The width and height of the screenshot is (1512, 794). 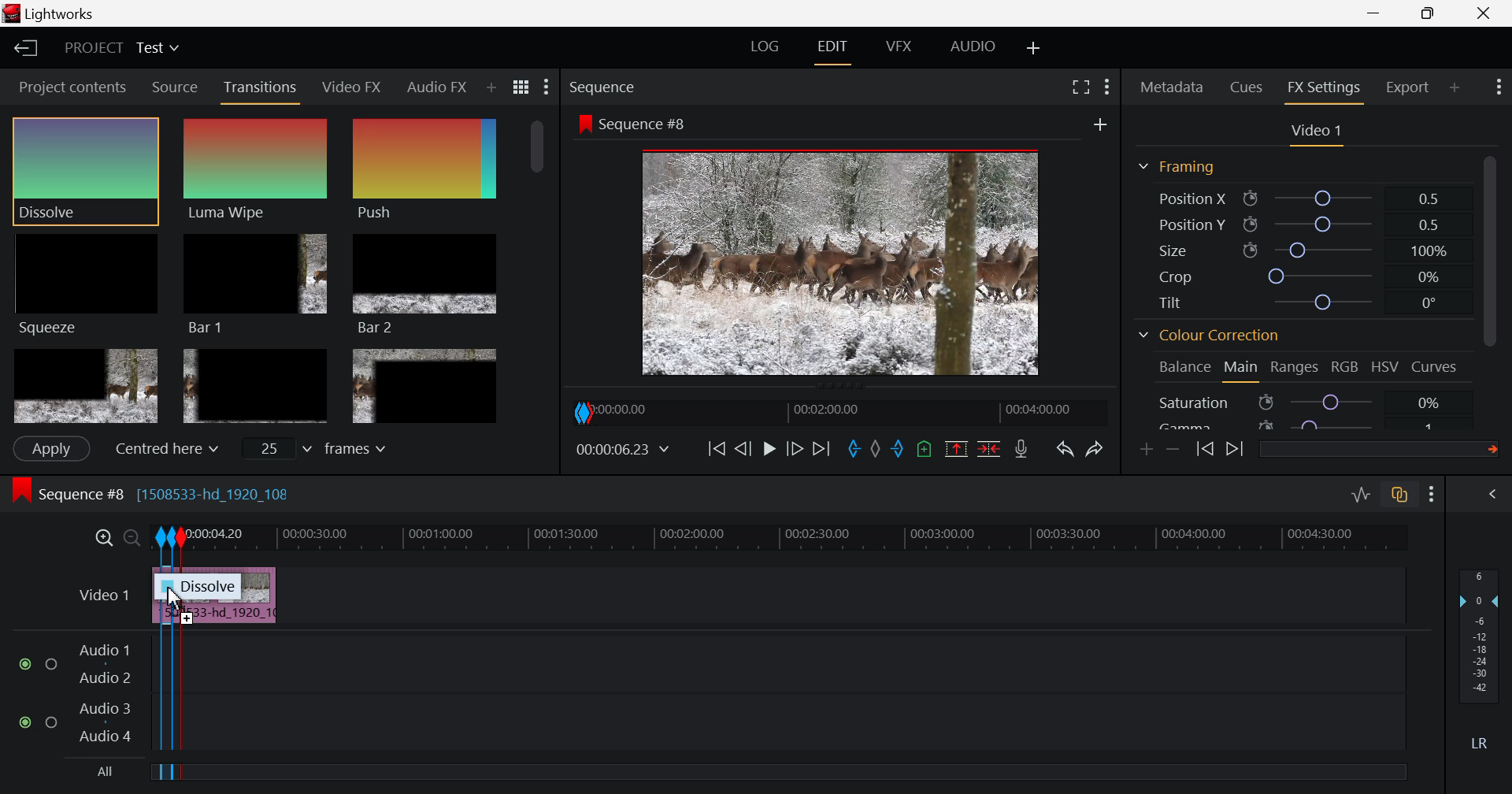 I want to click on Dissolve Effect, so click(x=261, y=174).